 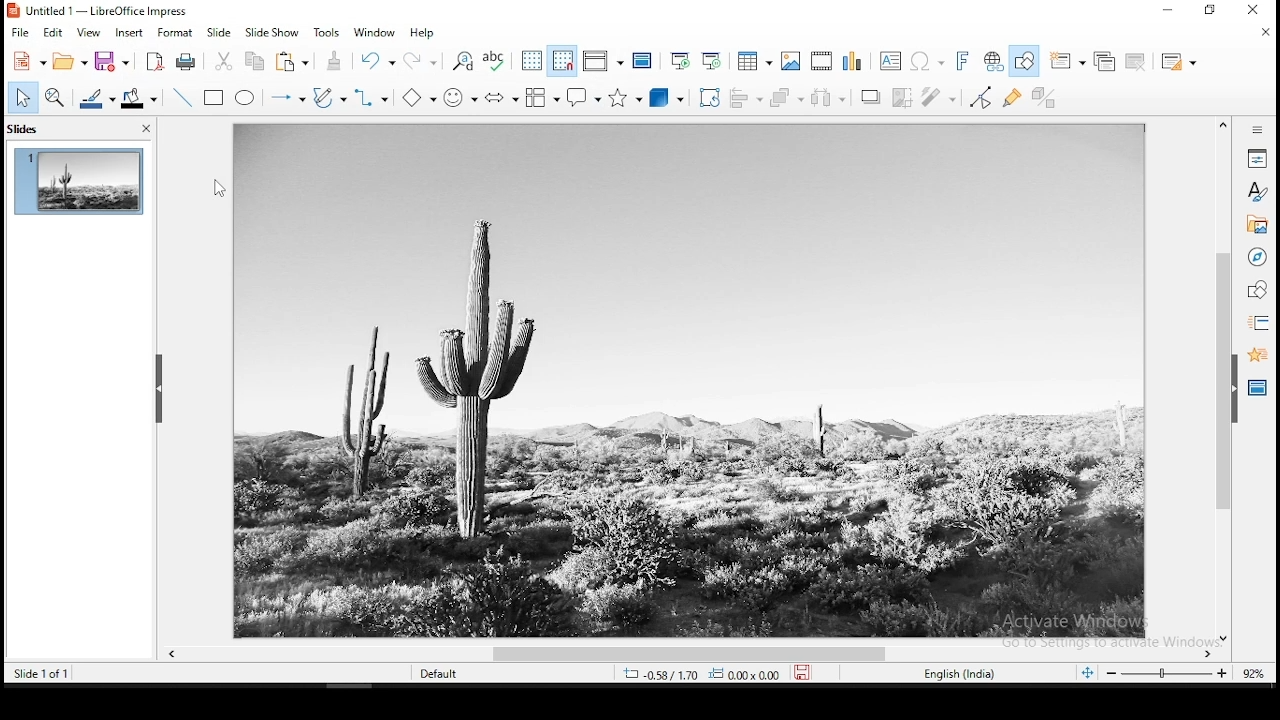 I want to click on styles, so click(x=1259, y=192).